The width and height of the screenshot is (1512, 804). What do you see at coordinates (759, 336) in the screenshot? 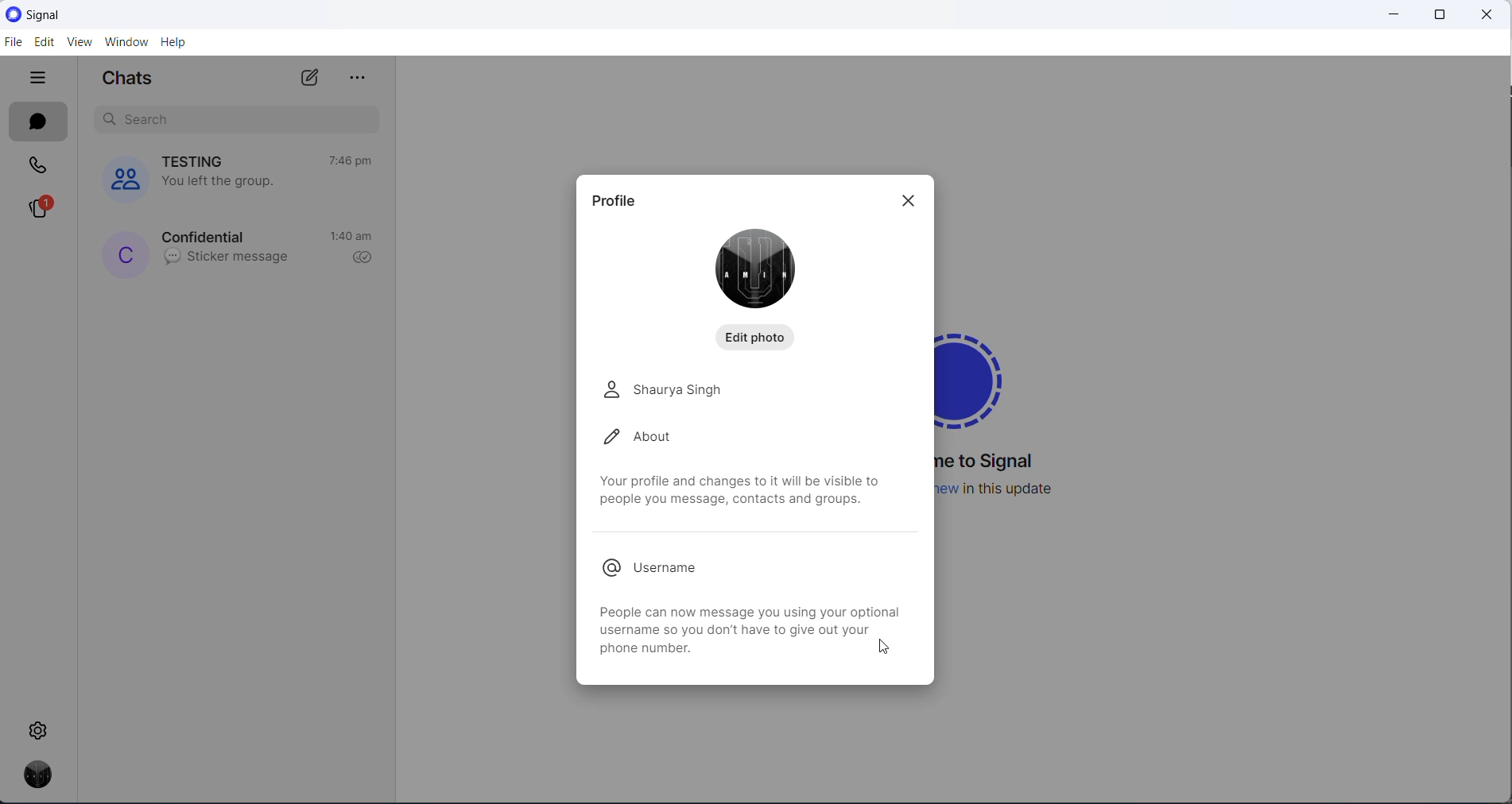
I see `edit photo` at bounding box center [759, 336].